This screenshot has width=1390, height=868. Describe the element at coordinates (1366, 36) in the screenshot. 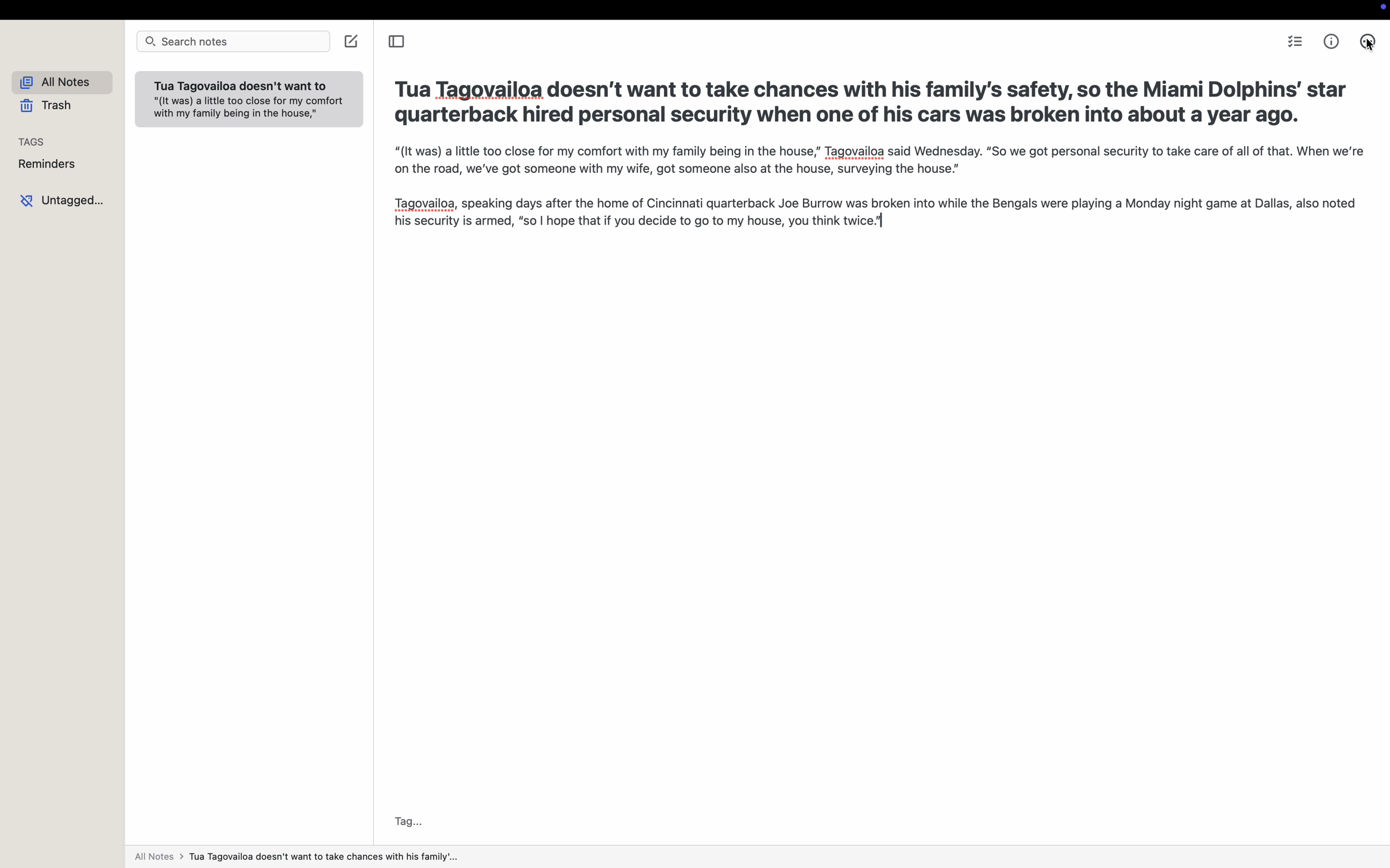

I see `click on more options` at that location.